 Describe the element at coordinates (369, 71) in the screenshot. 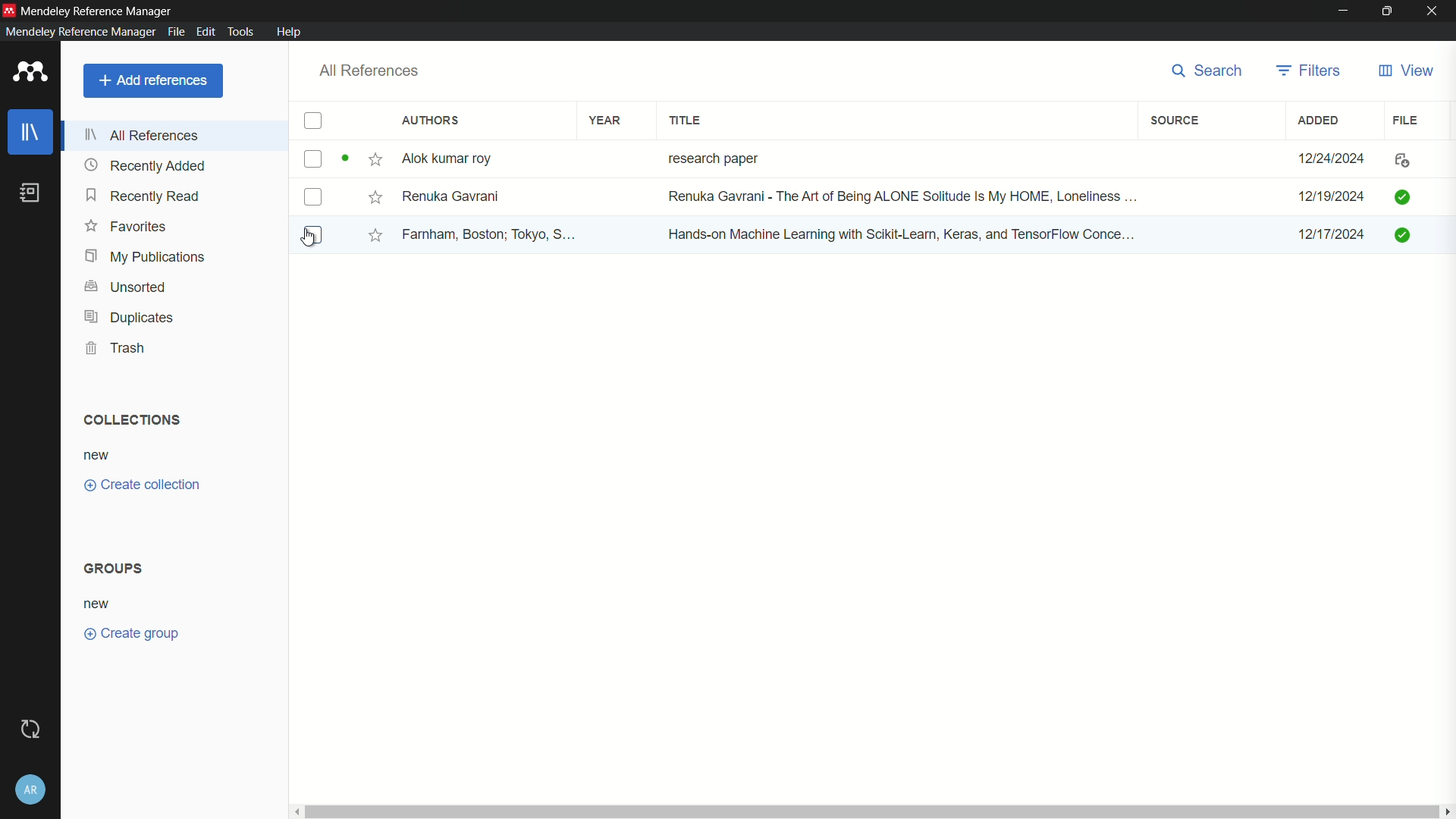

I see `all references` at that location.